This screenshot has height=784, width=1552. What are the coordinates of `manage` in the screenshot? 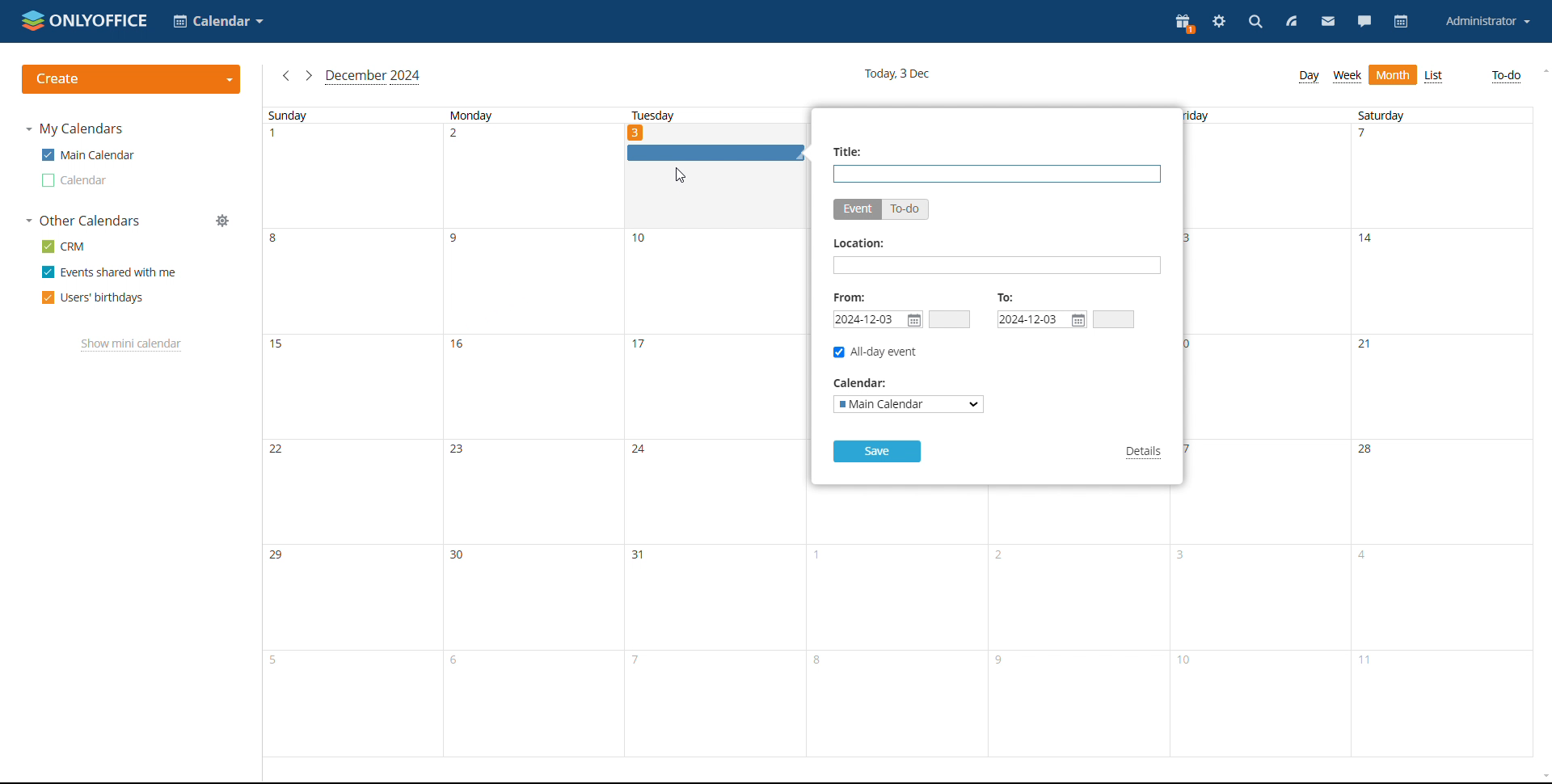 It's located at (223, 221).